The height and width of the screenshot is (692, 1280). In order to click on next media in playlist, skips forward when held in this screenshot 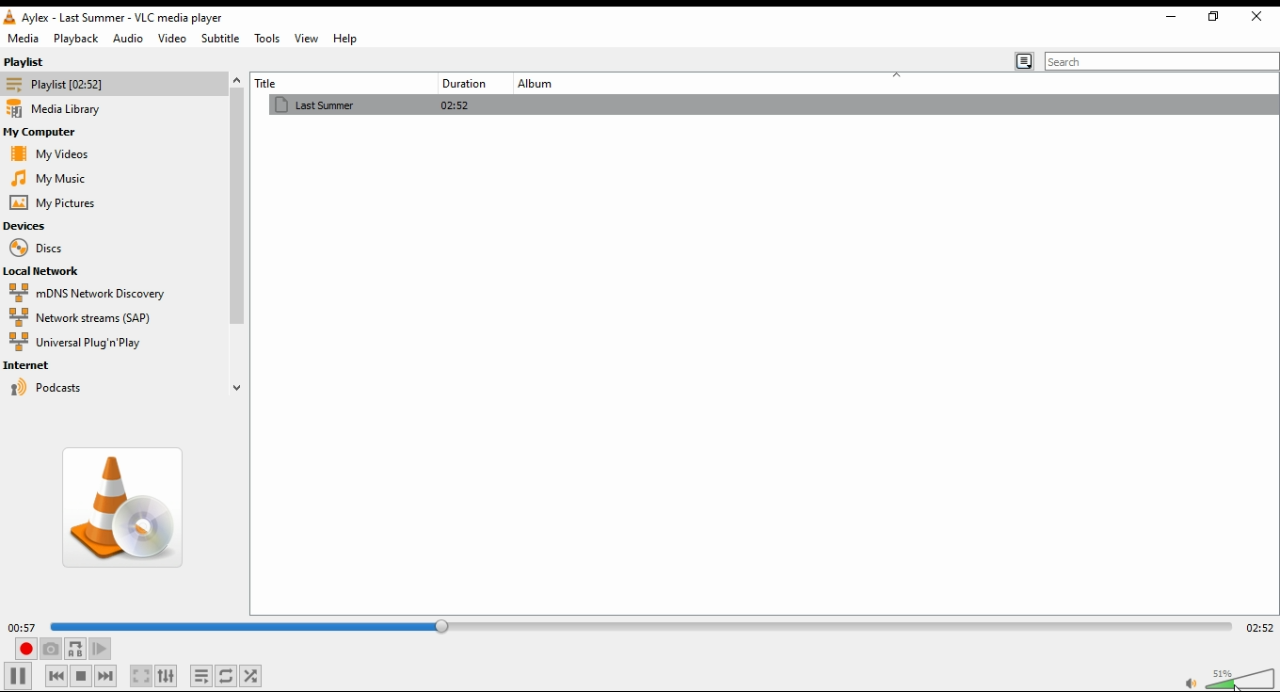, I will do `click(106, 676)`.